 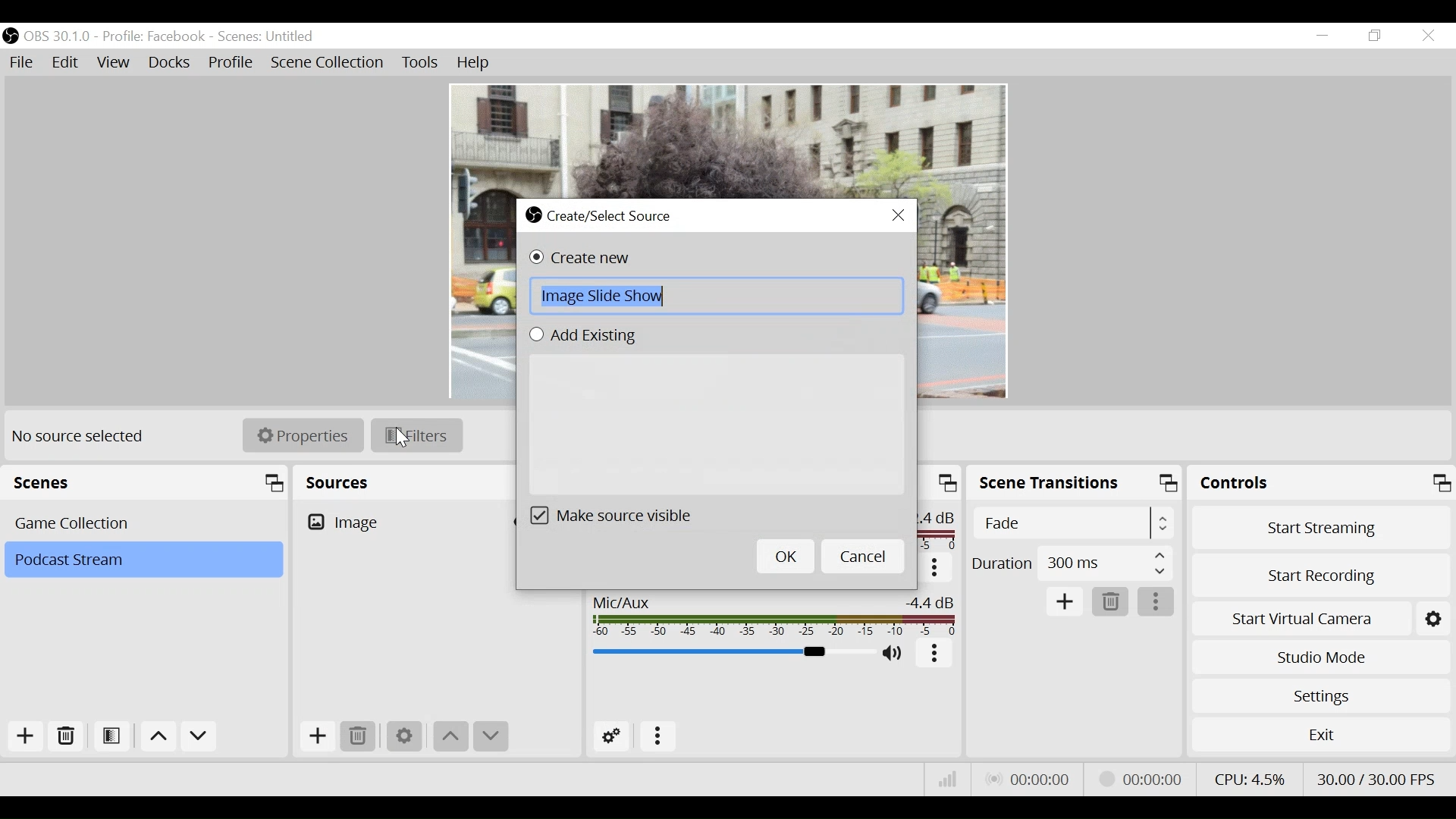 I want to click on Move up, so click(x=161, y=739).